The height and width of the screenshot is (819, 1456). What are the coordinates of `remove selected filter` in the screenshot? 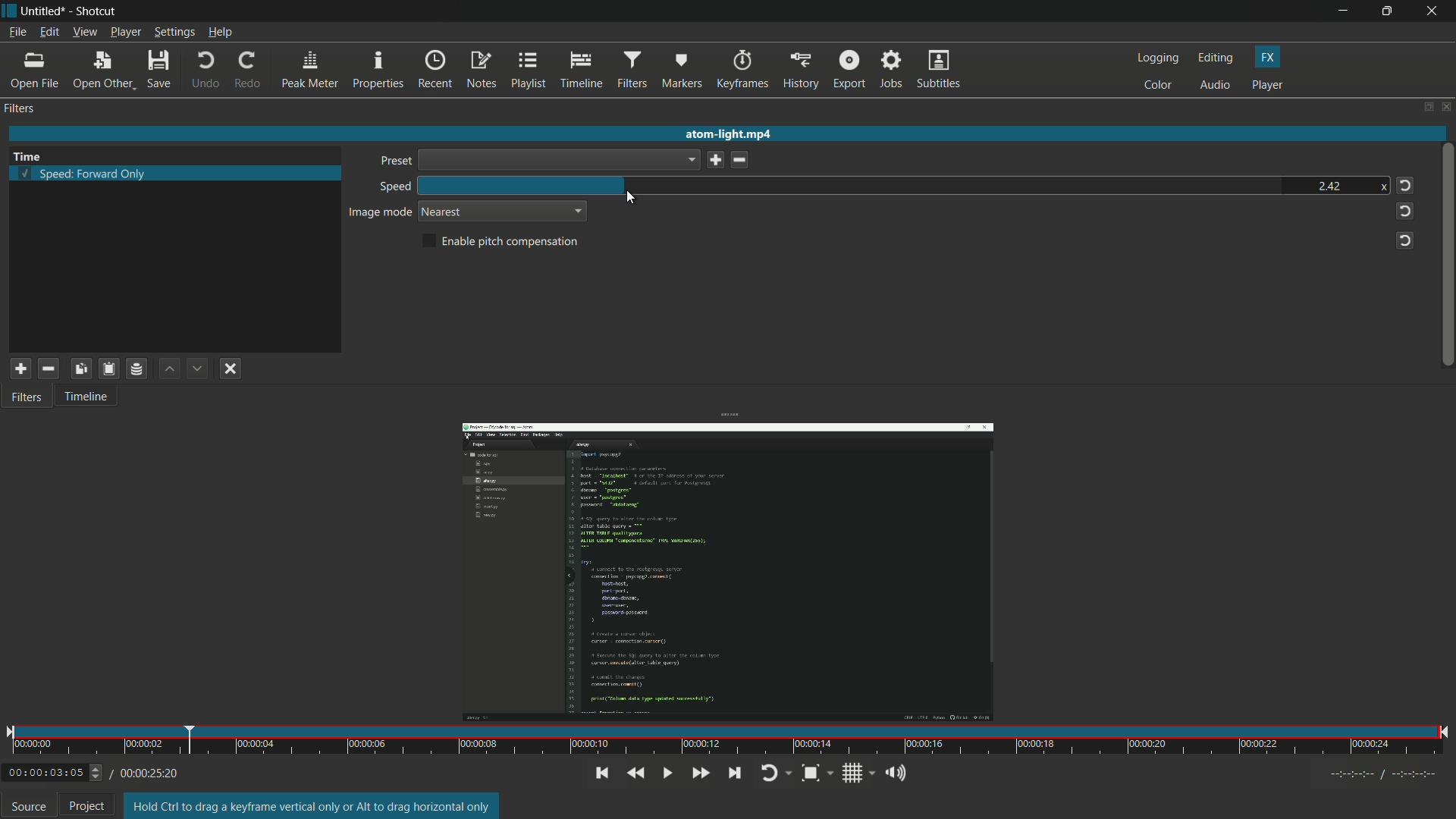 It's located at (48, 369).